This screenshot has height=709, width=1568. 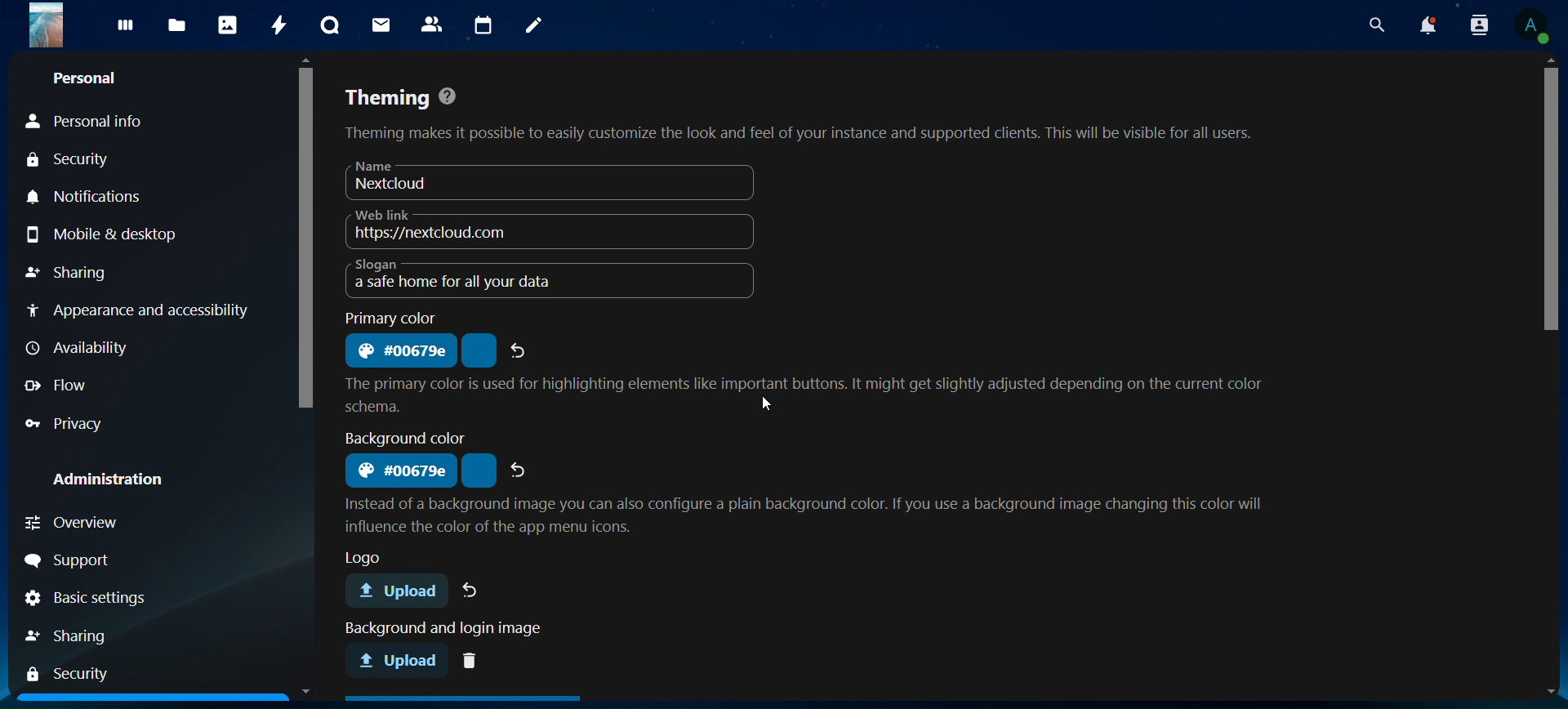 What do you see at coordinates (43, 26) in the screenshot?
I see `logo` at bounding box center [43, 26].